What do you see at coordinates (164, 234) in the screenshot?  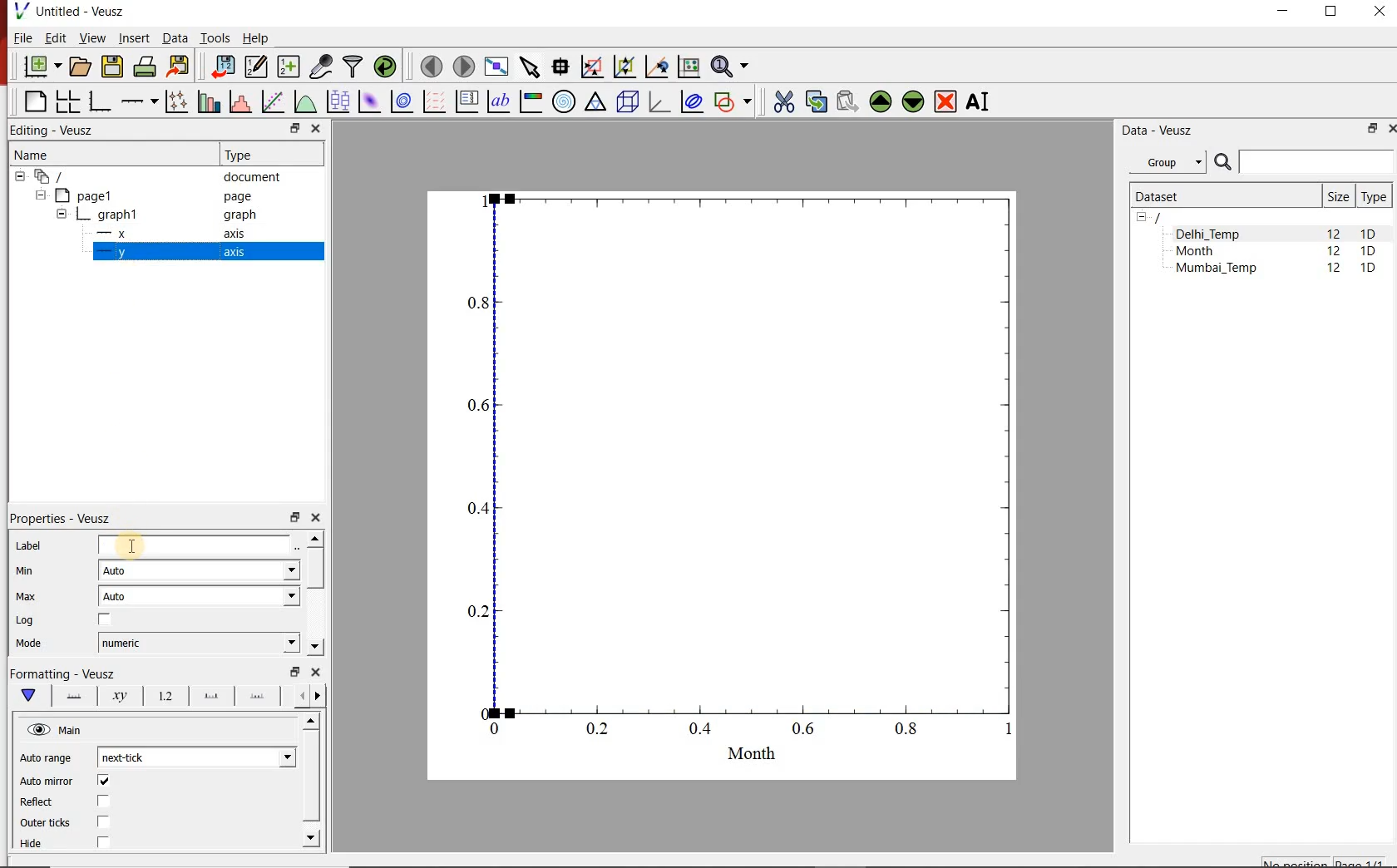 I see `-x axis` at bounding box center [164, 234].